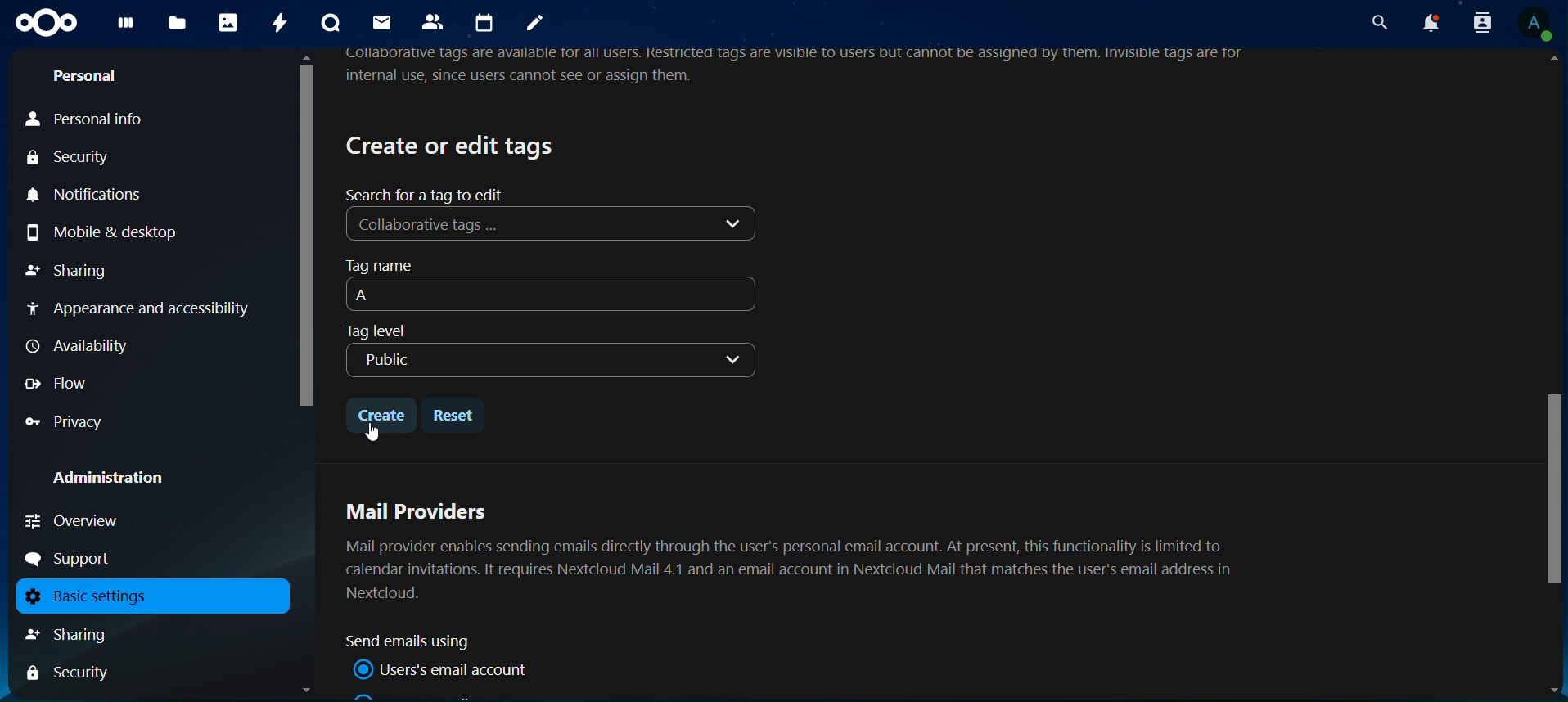  What do you see at coordinates (74, 559) in the screenshot?
I see `support` at bounding box center [74, 559].